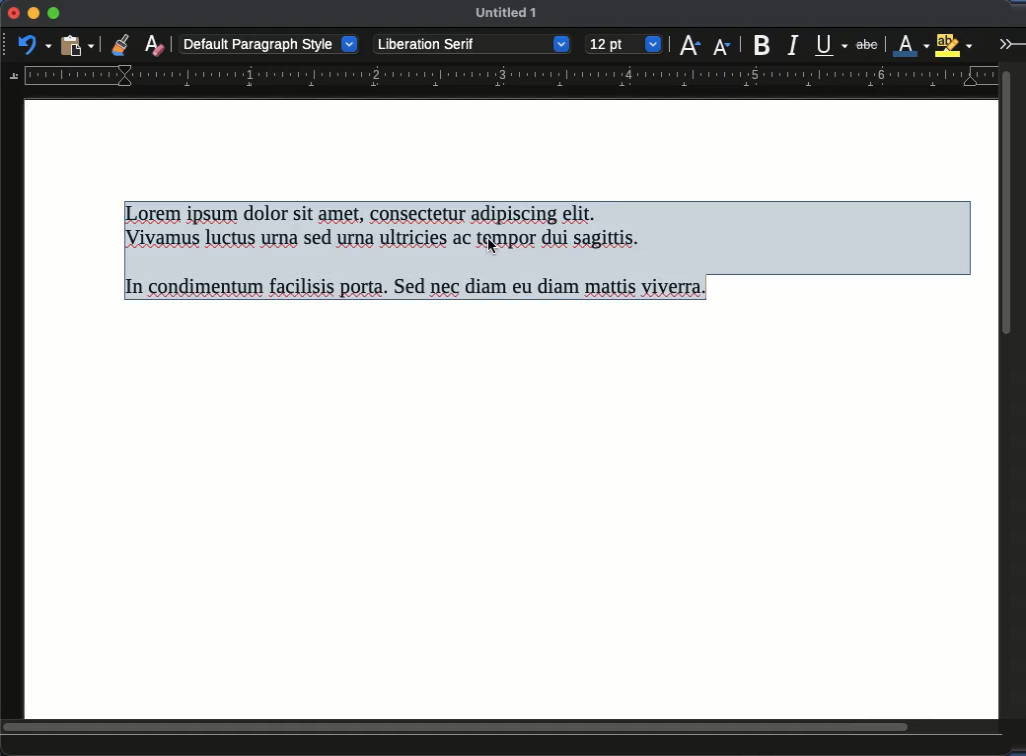 The image size is (1026, 756). Describe the element at coordinates (506, 12) in the screenshot. I see `untitled 1` at that location.